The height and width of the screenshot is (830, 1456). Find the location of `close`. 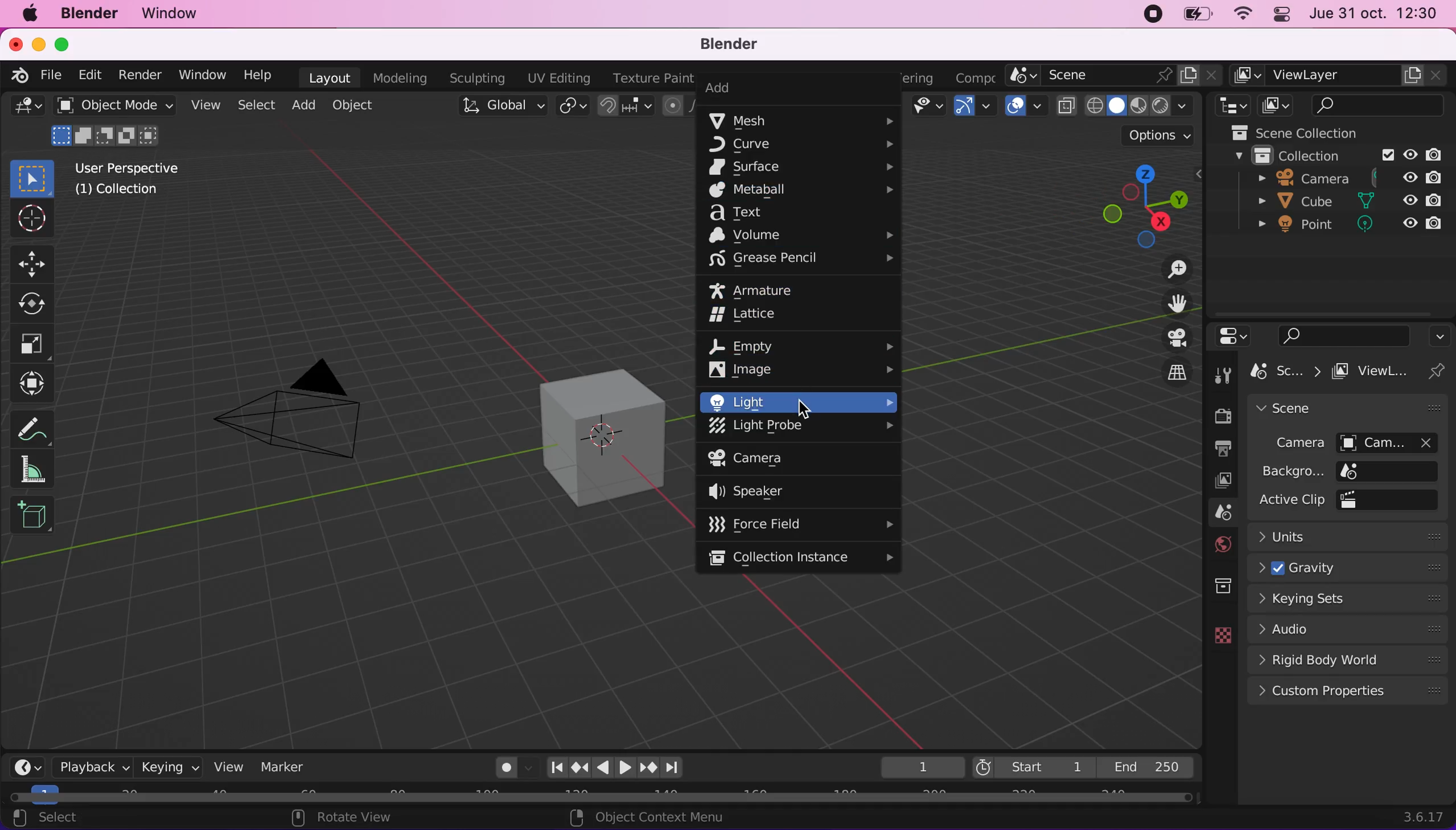

close is located at coordinates (14, 43).